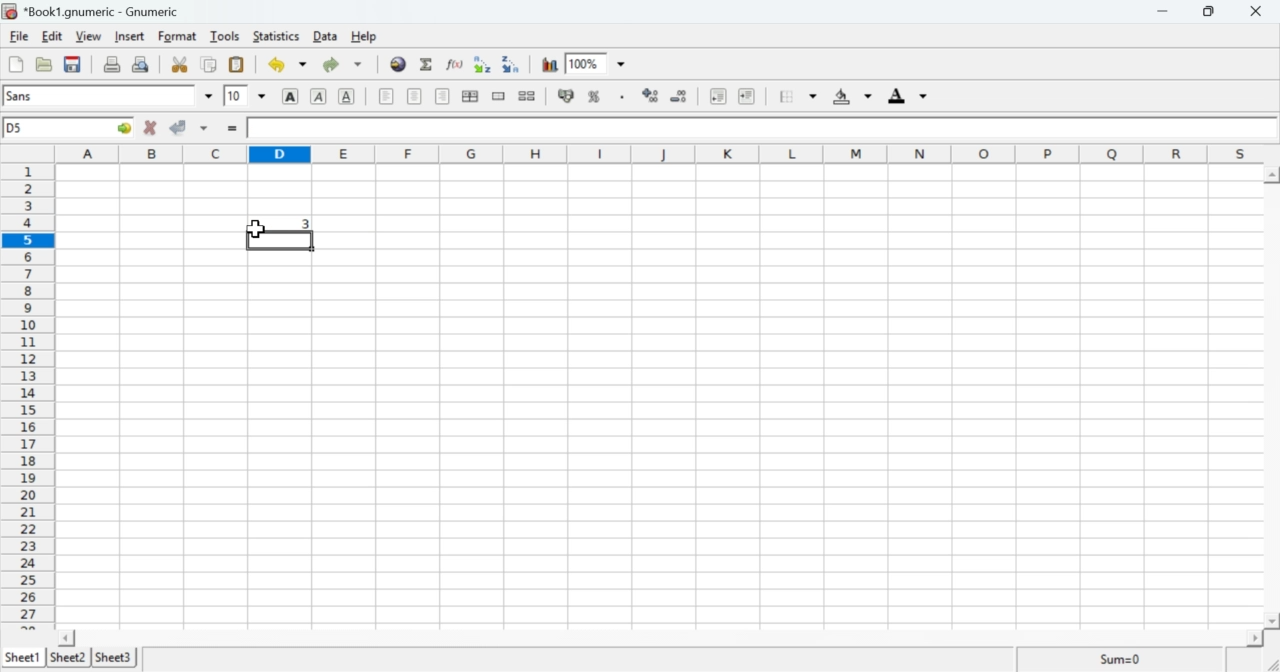 The image size is (1280, 672). What do you see at coordinates (110, 96) in the screenshot?
I see `Font Style` at bounding box center [110, 96].